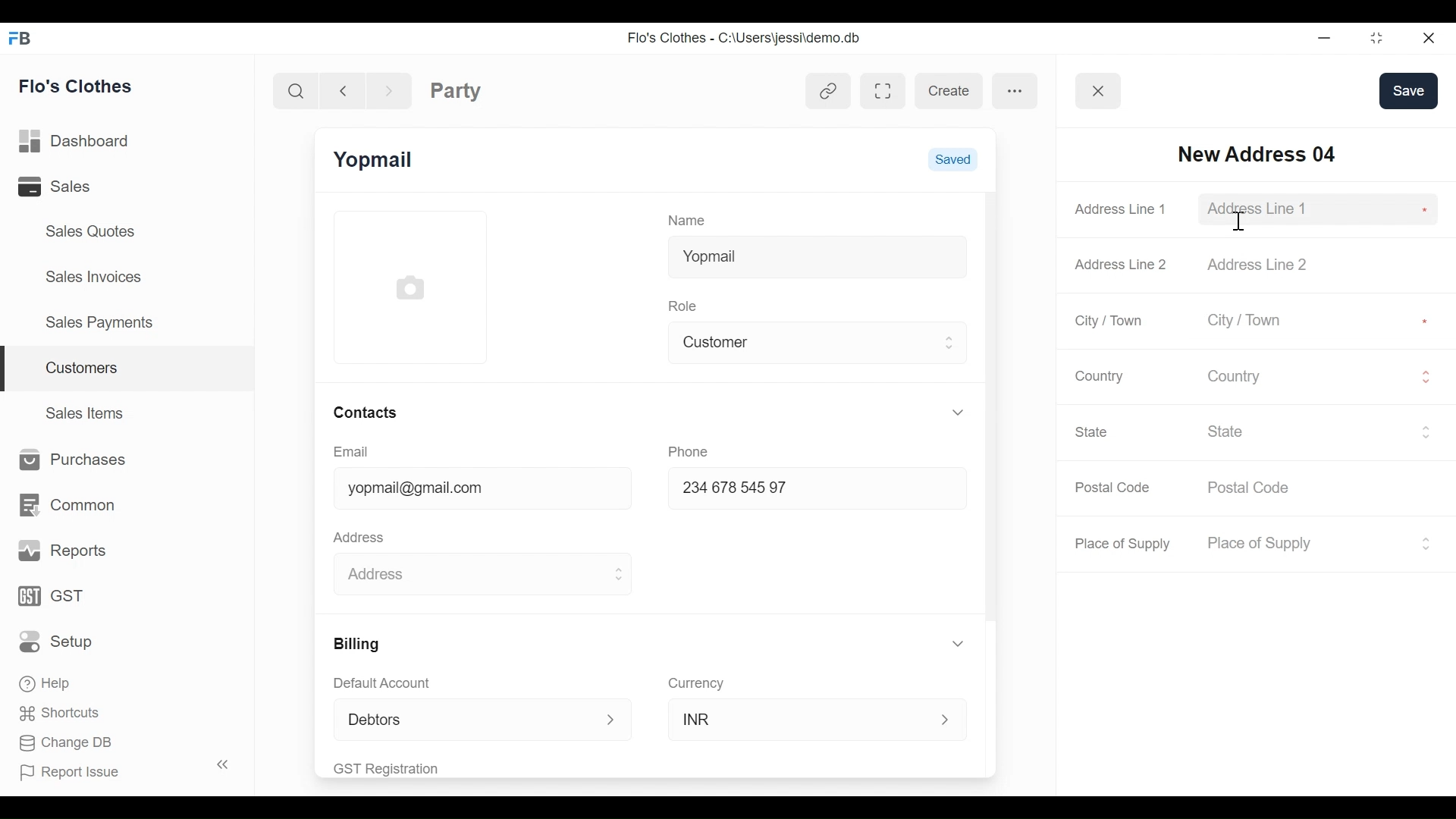 This screenshot has height=819, width=1456. Describe the element at coordinates (1097, 375) in the screenshot. I see `Country` at that location.